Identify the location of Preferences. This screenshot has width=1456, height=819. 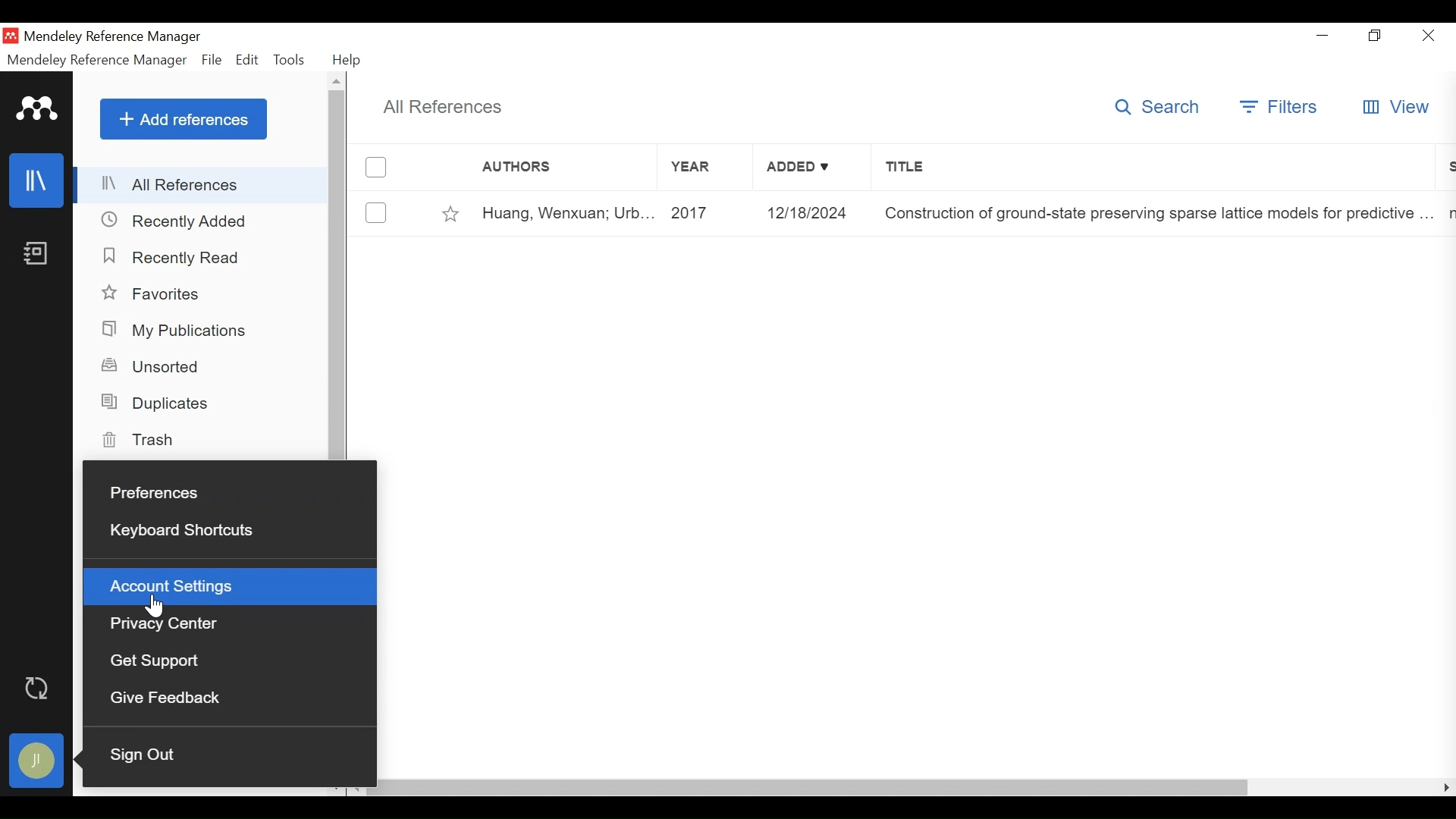
(221, 491).